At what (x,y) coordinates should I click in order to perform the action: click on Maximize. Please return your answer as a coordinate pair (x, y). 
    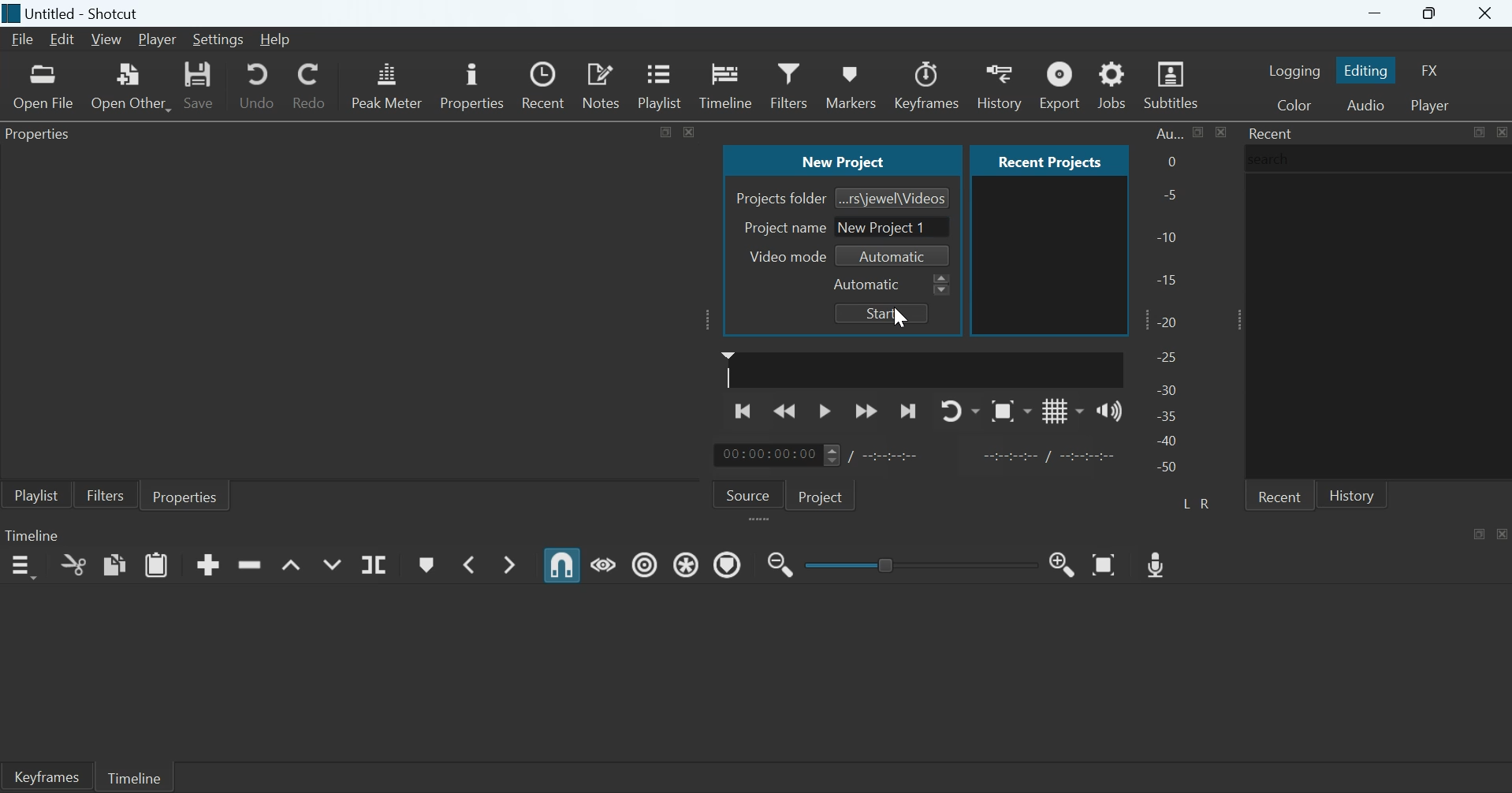
    Looking at the image, I should click on (1199, 132).